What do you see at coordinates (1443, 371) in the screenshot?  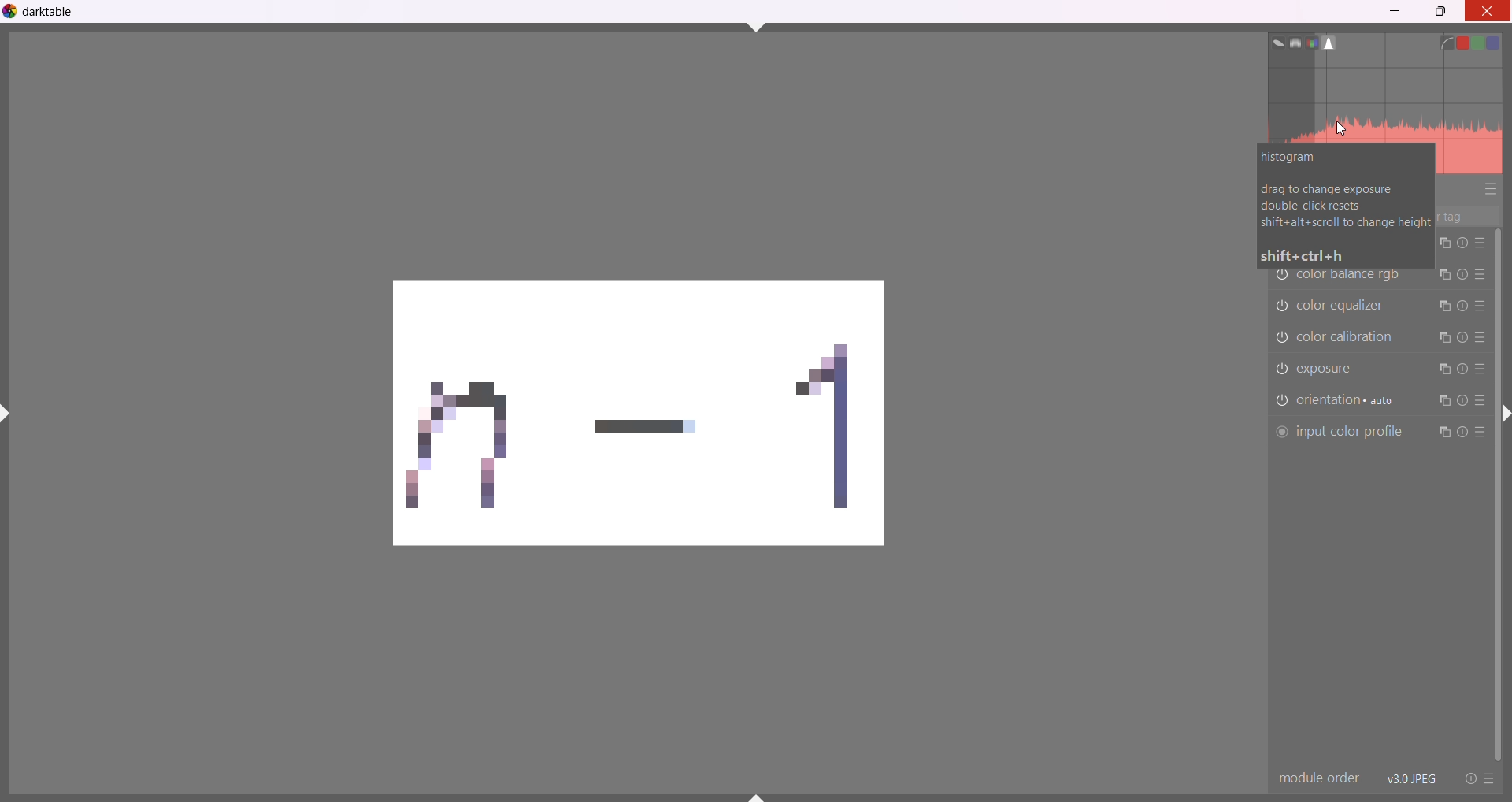 I see `instance` at bounding box center [1443, 371].